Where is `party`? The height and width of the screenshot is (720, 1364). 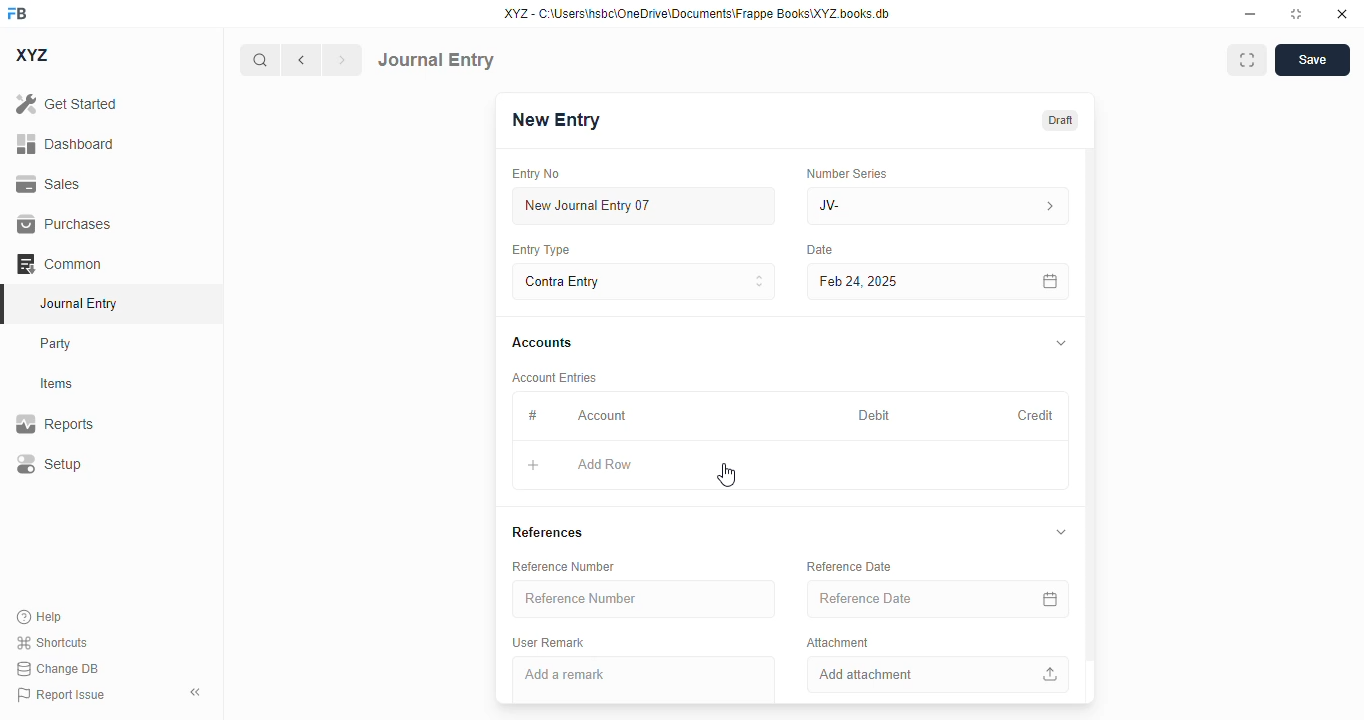 party is located at coordinates (58, 344).